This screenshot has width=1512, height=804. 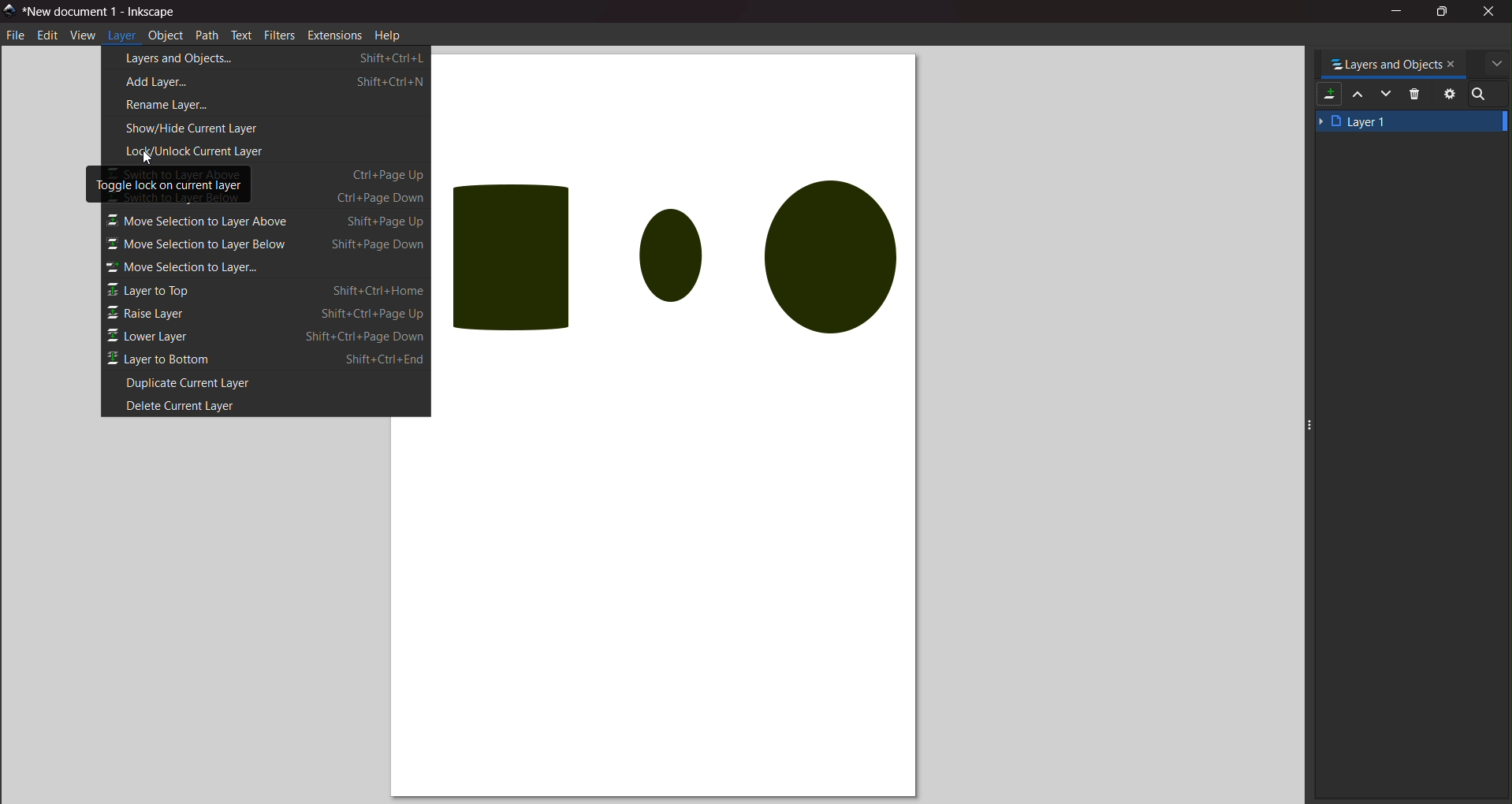 I want to click on mask down, so click(x=1387, y=94).